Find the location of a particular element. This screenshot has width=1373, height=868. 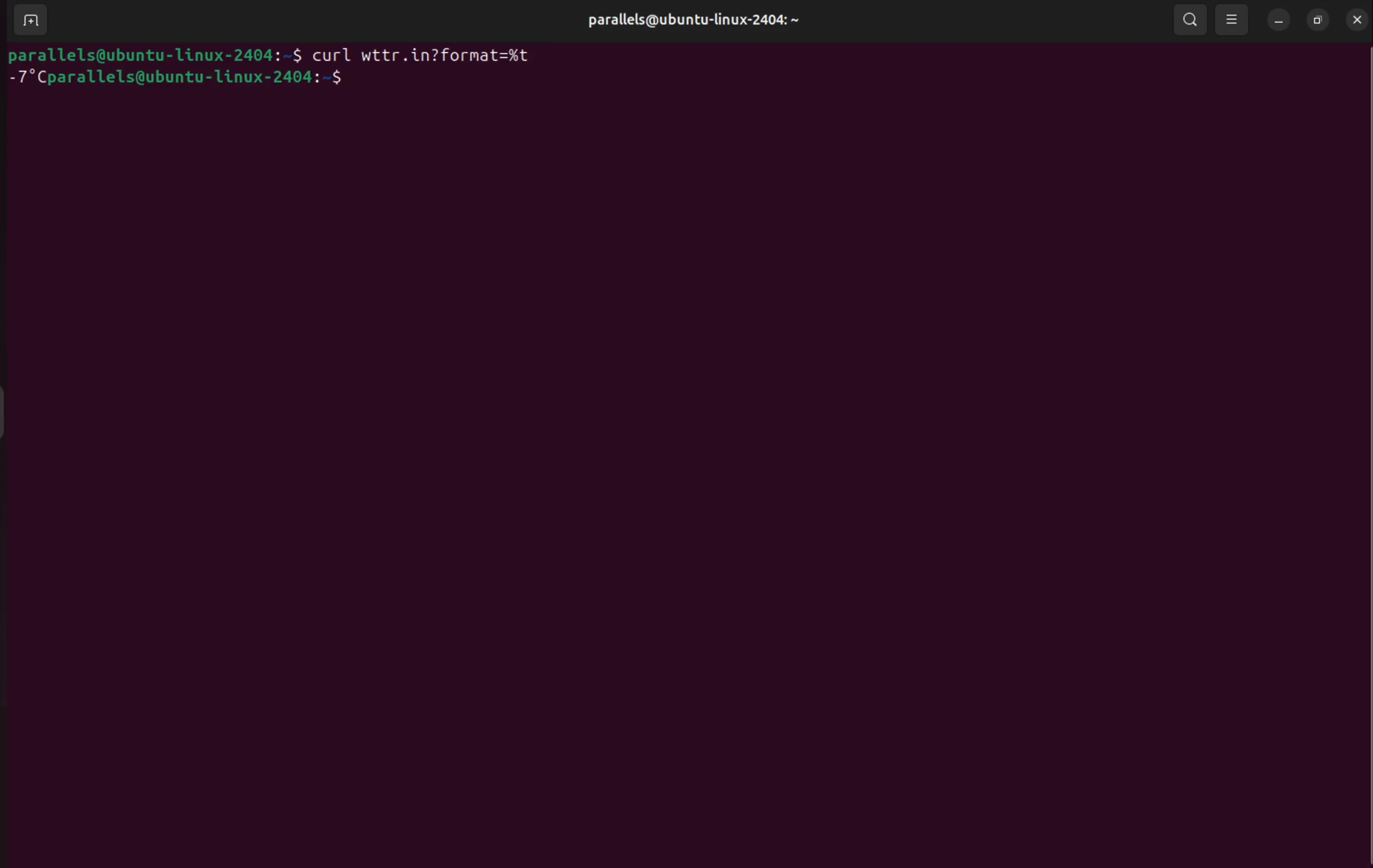

view options is located at coordinates (1232, 20).